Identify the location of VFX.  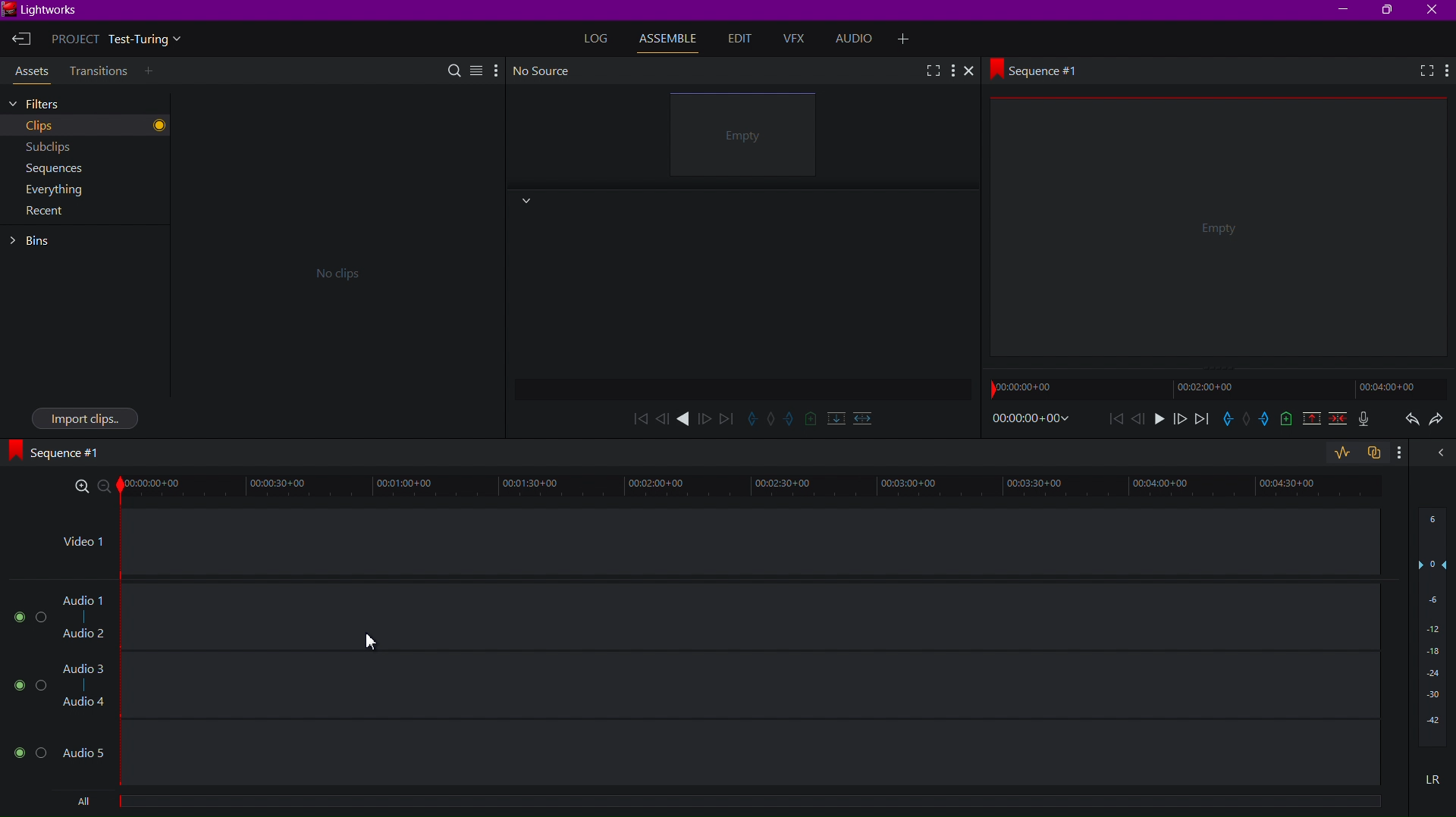
(798, 39).